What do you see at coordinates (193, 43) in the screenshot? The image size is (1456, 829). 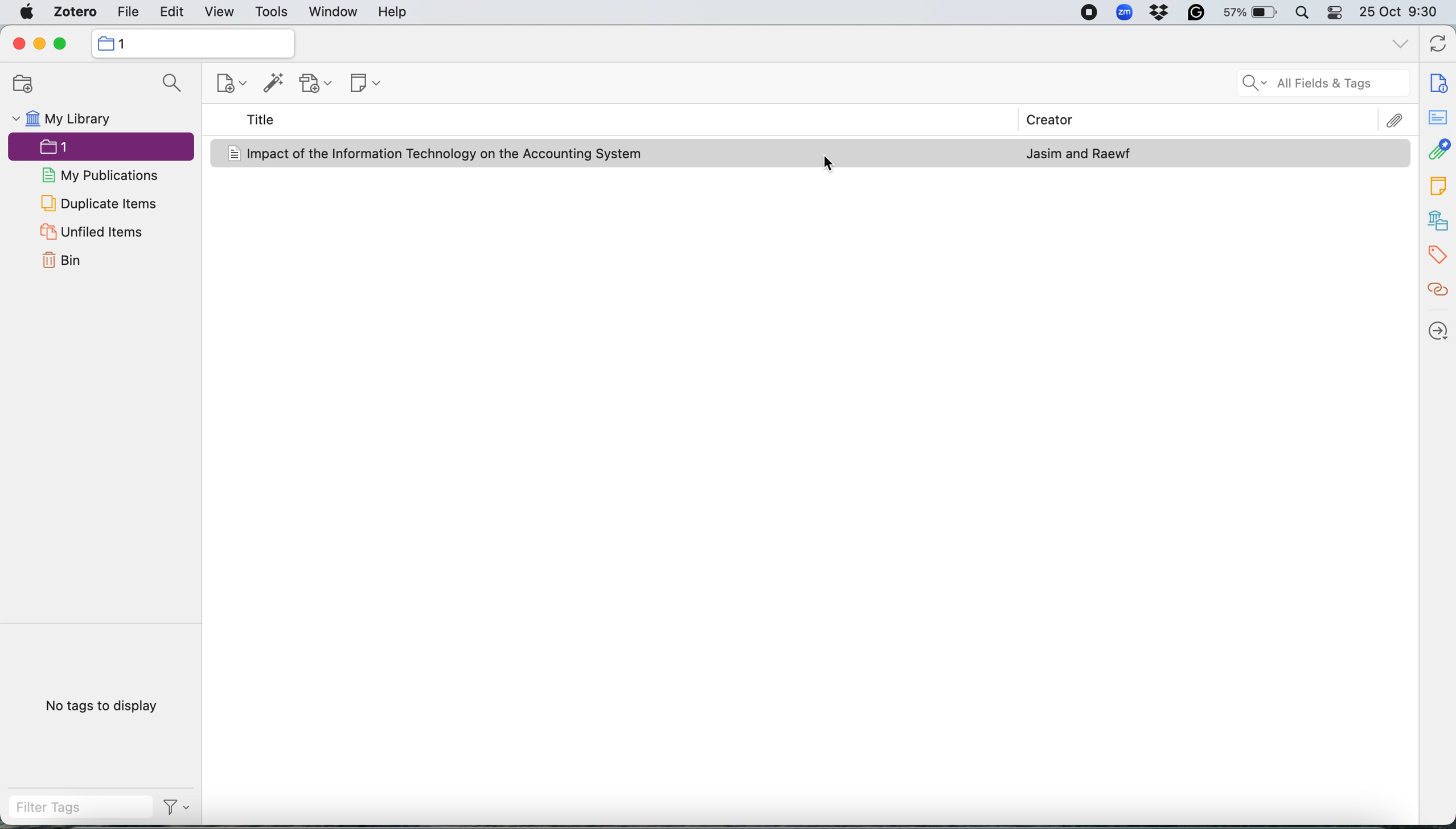 I see `collection` at bounding box center [193, 43].